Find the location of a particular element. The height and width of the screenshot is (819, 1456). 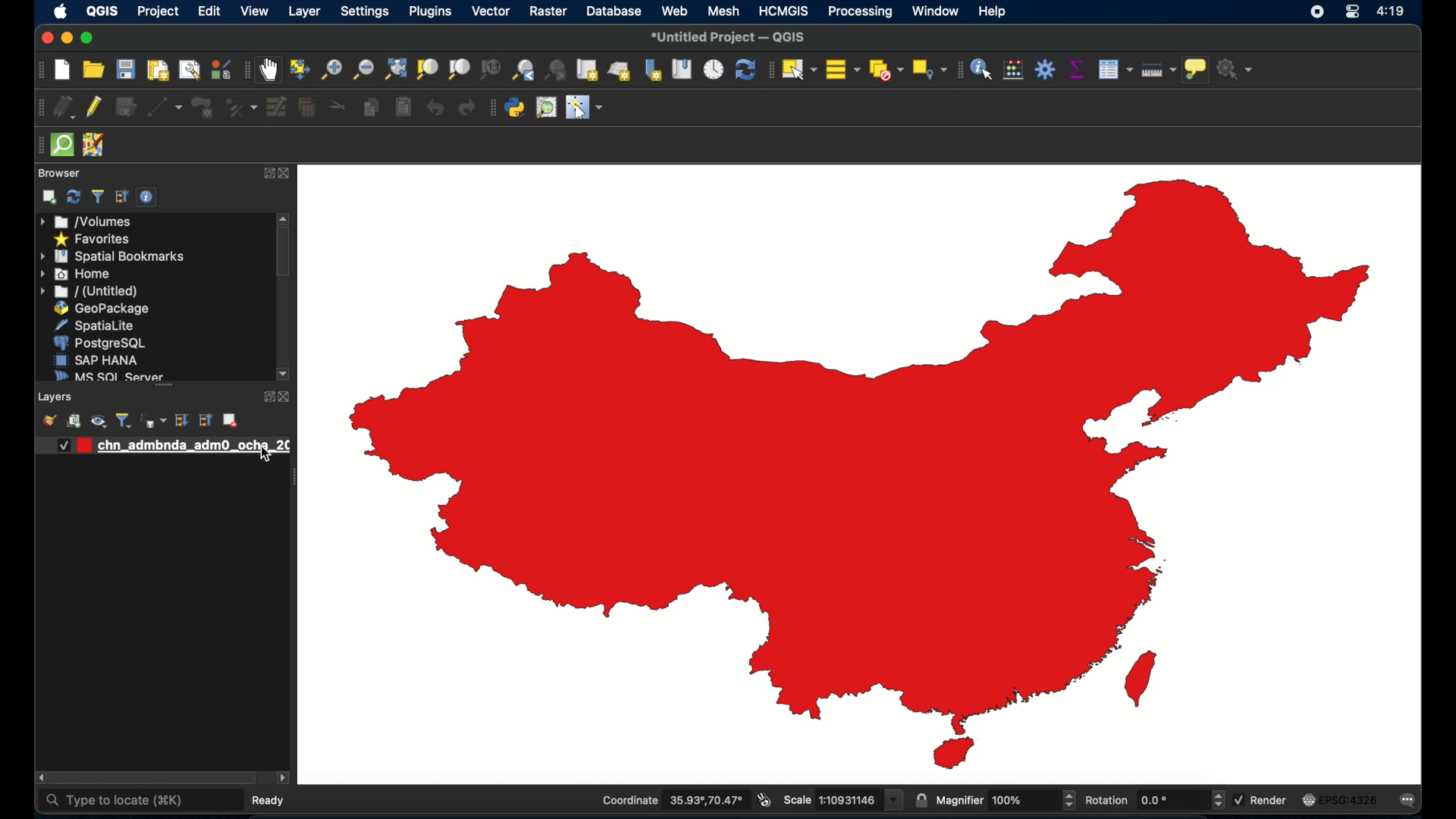

browser is located at coordinates (59, 173).